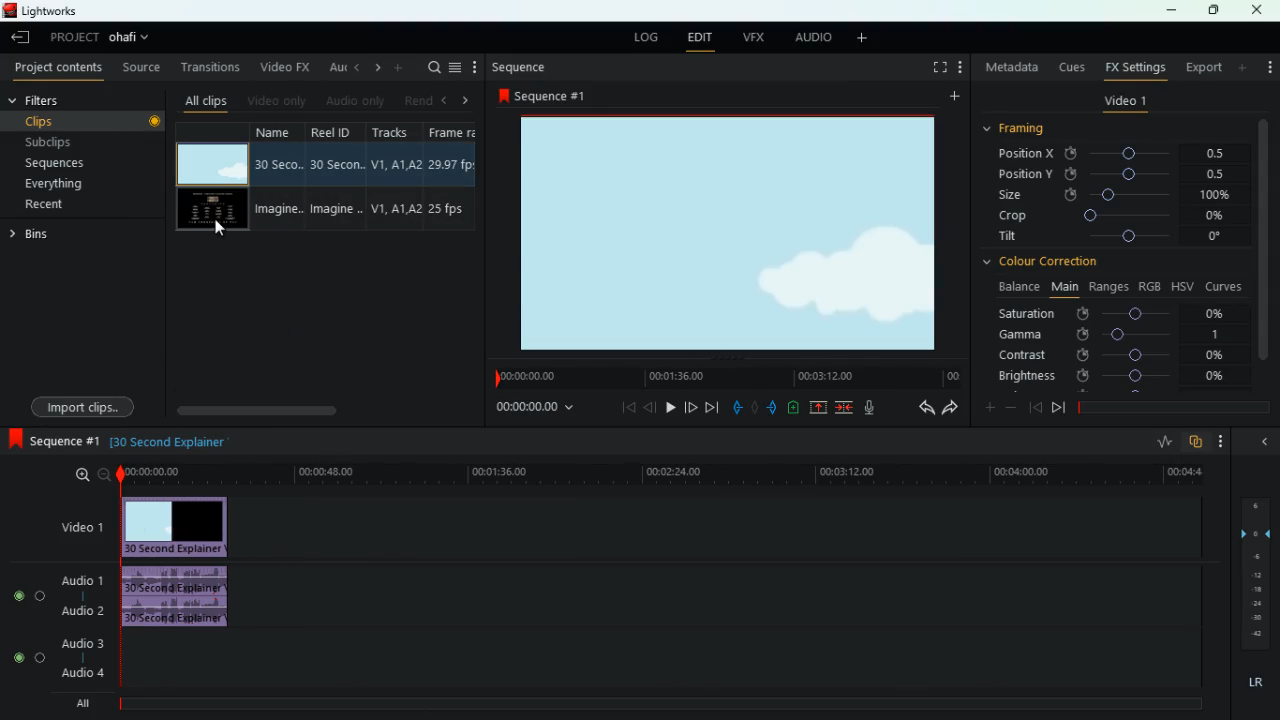 The image size is (1280, 720). I want to click on audio only, so click(354, 102).